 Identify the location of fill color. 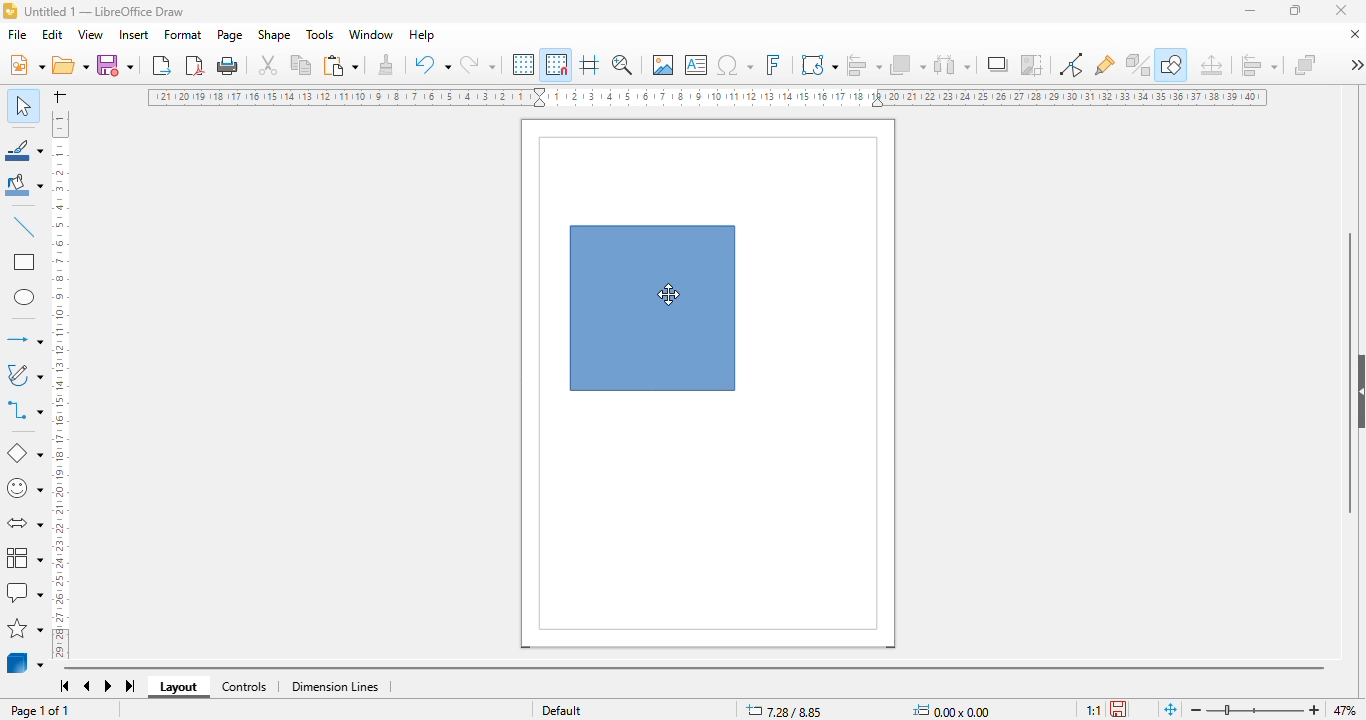
(25, 185).